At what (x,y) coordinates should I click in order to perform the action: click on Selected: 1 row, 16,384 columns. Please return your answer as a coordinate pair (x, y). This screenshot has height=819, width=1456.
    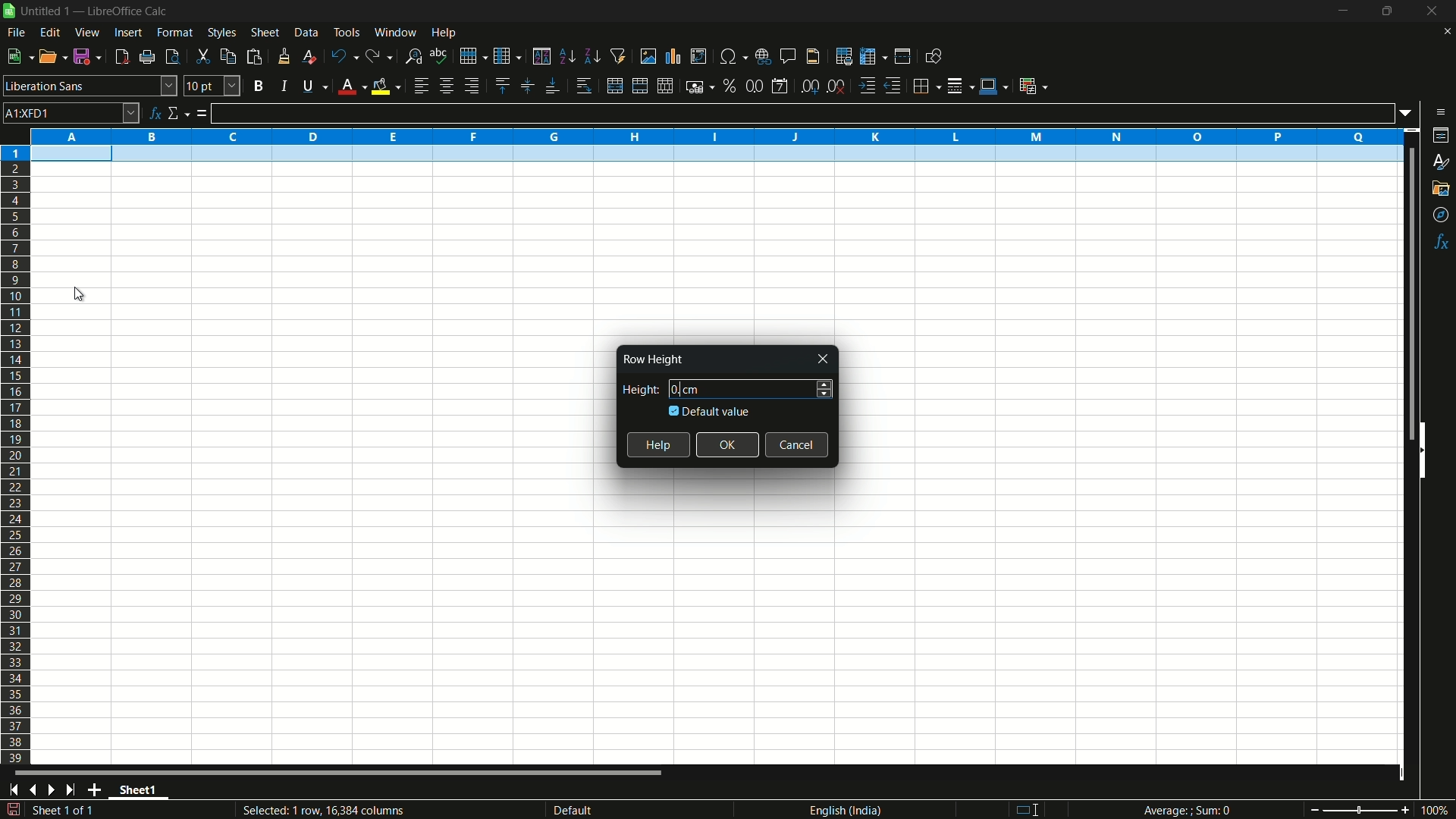
    Looking at the image, I should click on (320, 809).